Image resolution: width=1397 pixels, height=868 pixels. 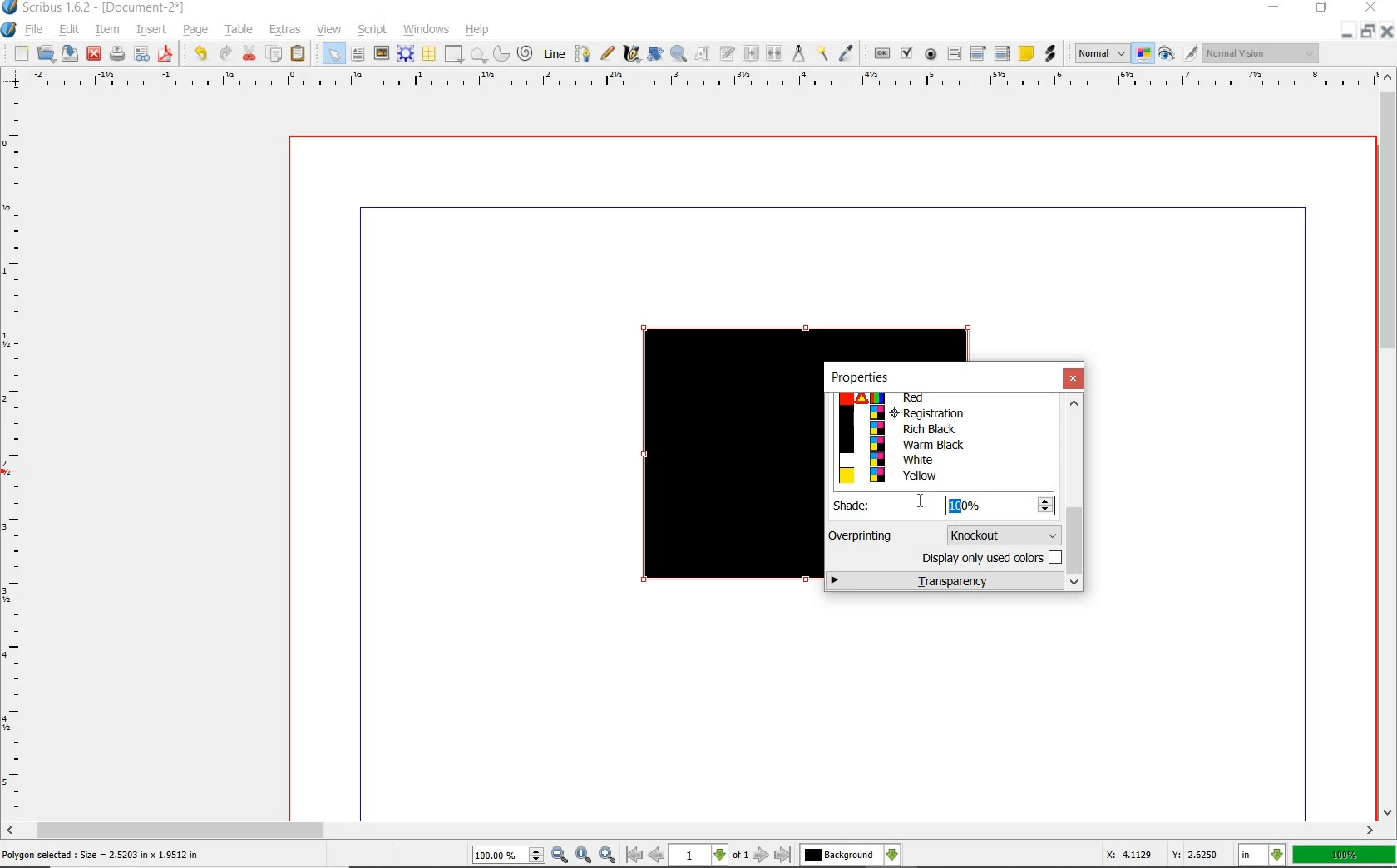 What do you see at coordinates (383, 54) in the screenshot?
I see `image frame` at bounding box center [383, 54].